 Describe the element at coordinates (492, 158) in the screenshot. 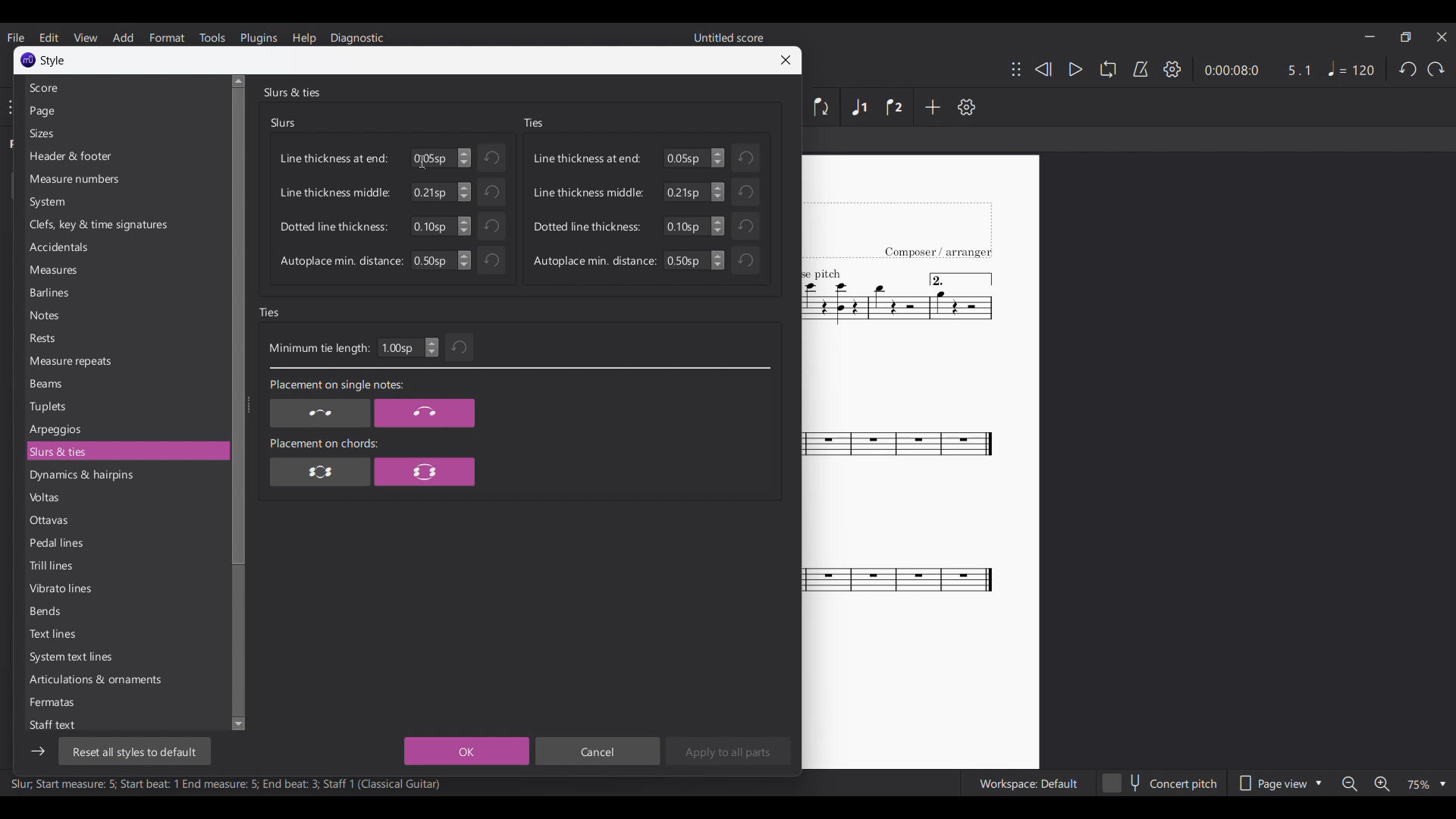

I see `Undo` at that location.